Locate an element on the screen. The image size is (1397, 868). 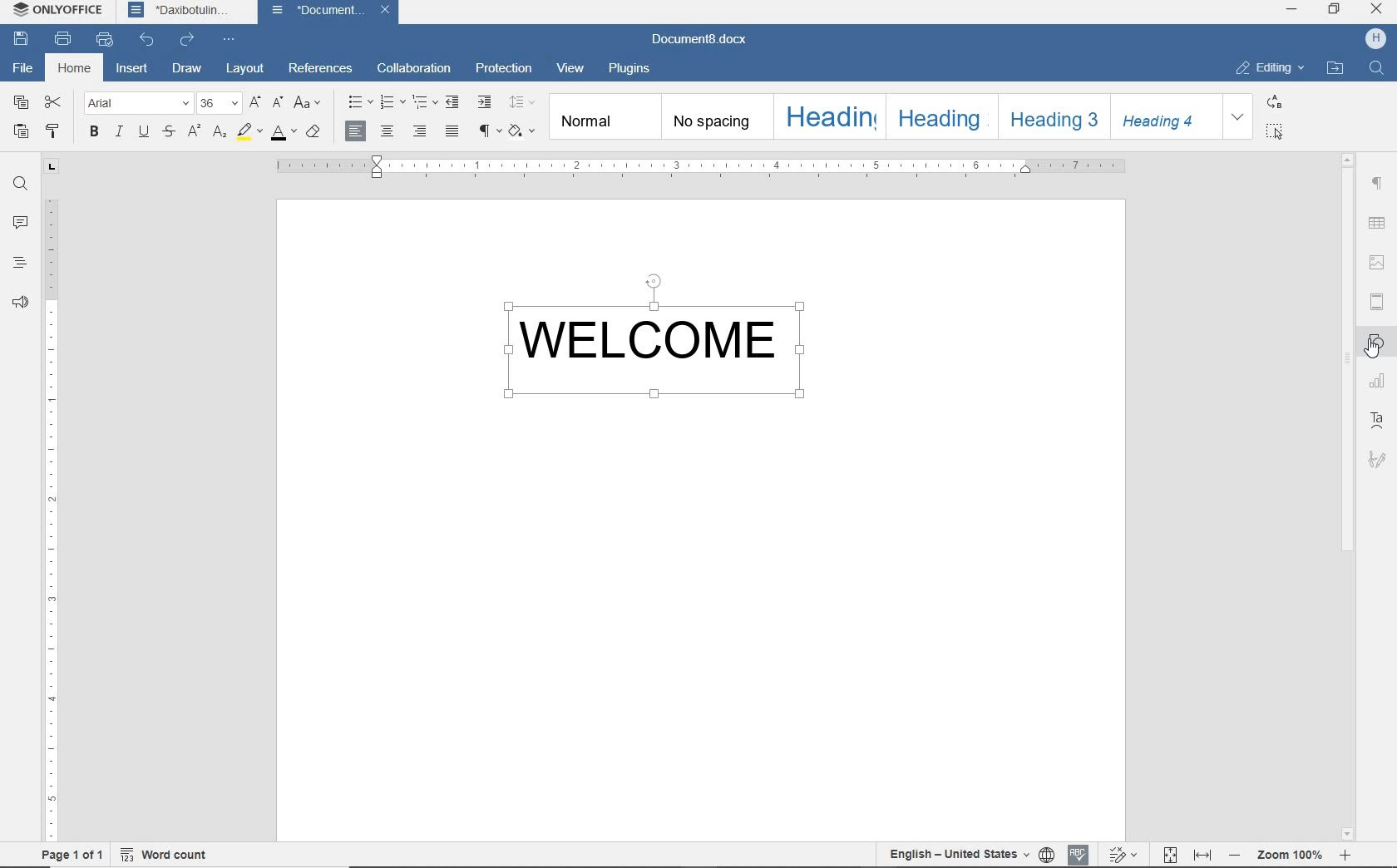
SIGNATURE is located at coordinates (1378, 459).